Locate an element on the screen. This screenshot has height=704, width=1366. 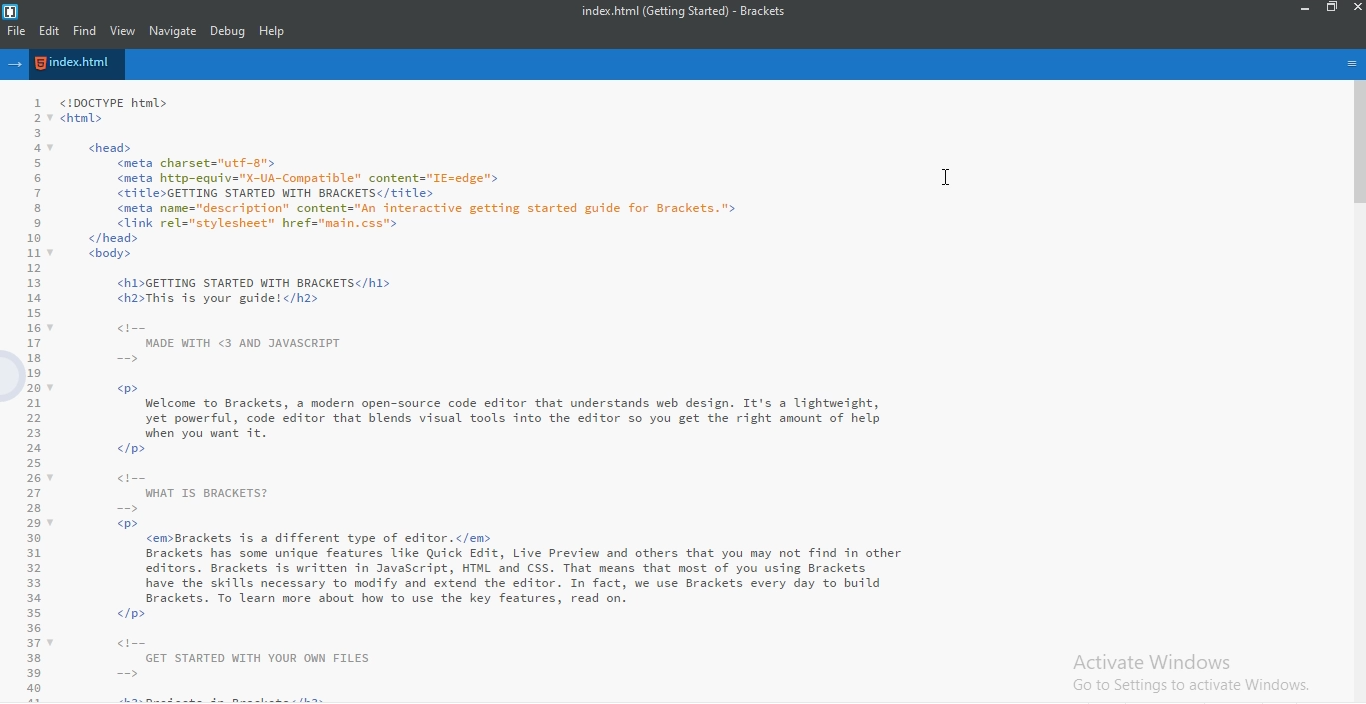
index.html (Getting Started) - Brackets is located at coordinates (692, 10).